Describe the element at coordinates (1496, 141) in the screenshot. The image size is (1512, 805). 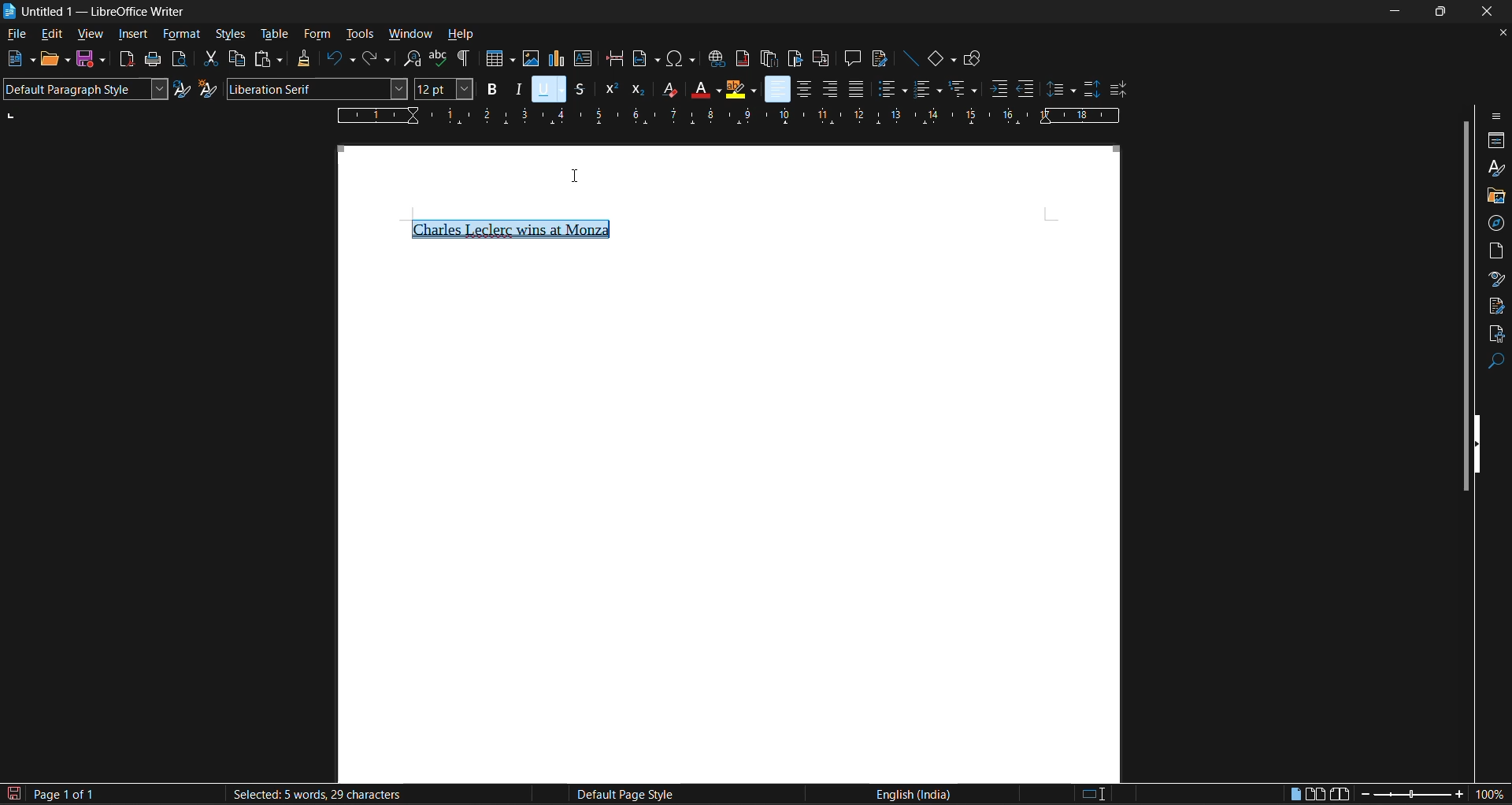
I see `properties` at that location.